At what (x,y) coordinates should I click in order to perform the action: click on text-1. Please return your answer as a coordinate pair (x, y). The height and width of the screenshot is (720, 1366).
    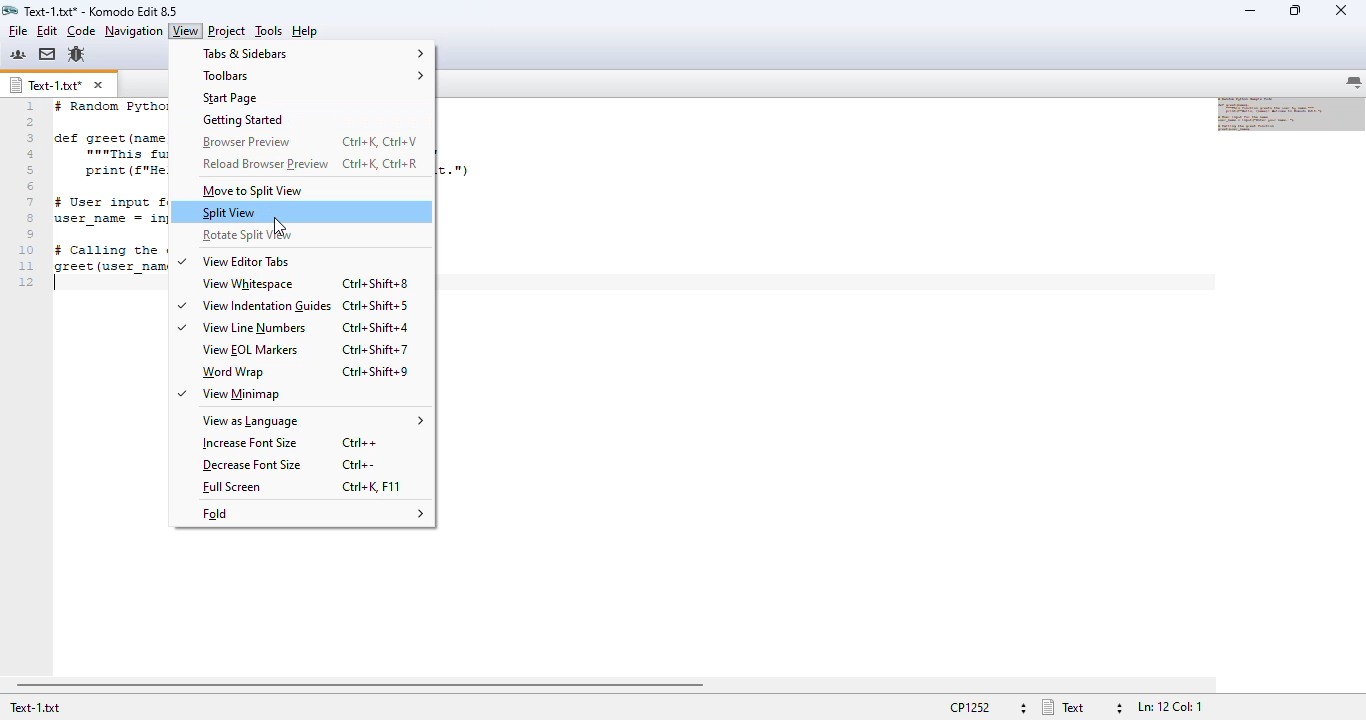
    Looking at the image, I should click on (46, 85).